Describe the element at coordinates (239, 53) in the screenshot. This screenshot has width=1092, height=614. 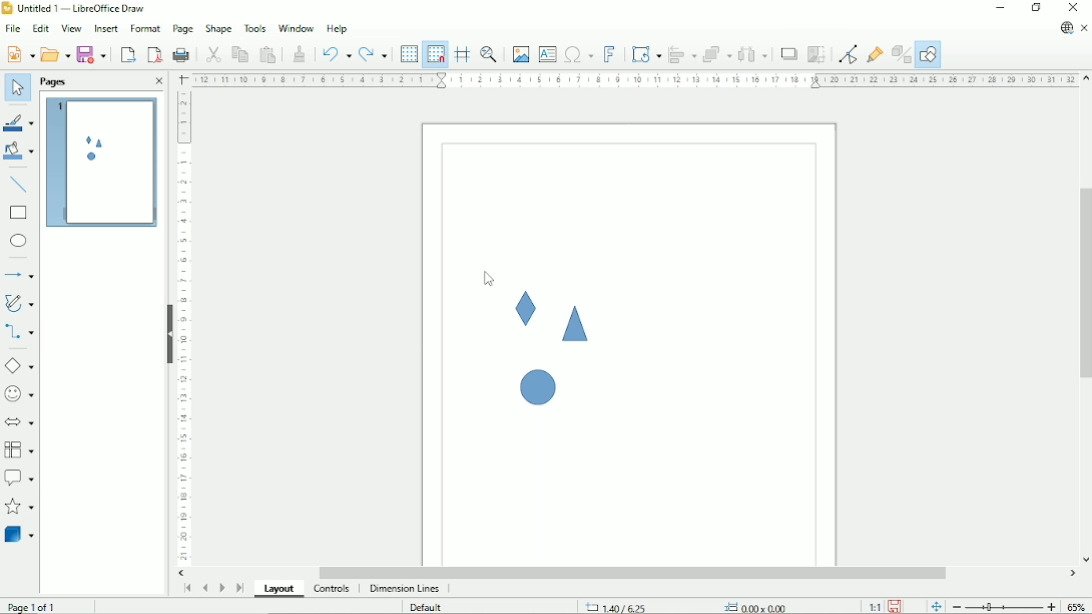
I see `Copy` at that location.